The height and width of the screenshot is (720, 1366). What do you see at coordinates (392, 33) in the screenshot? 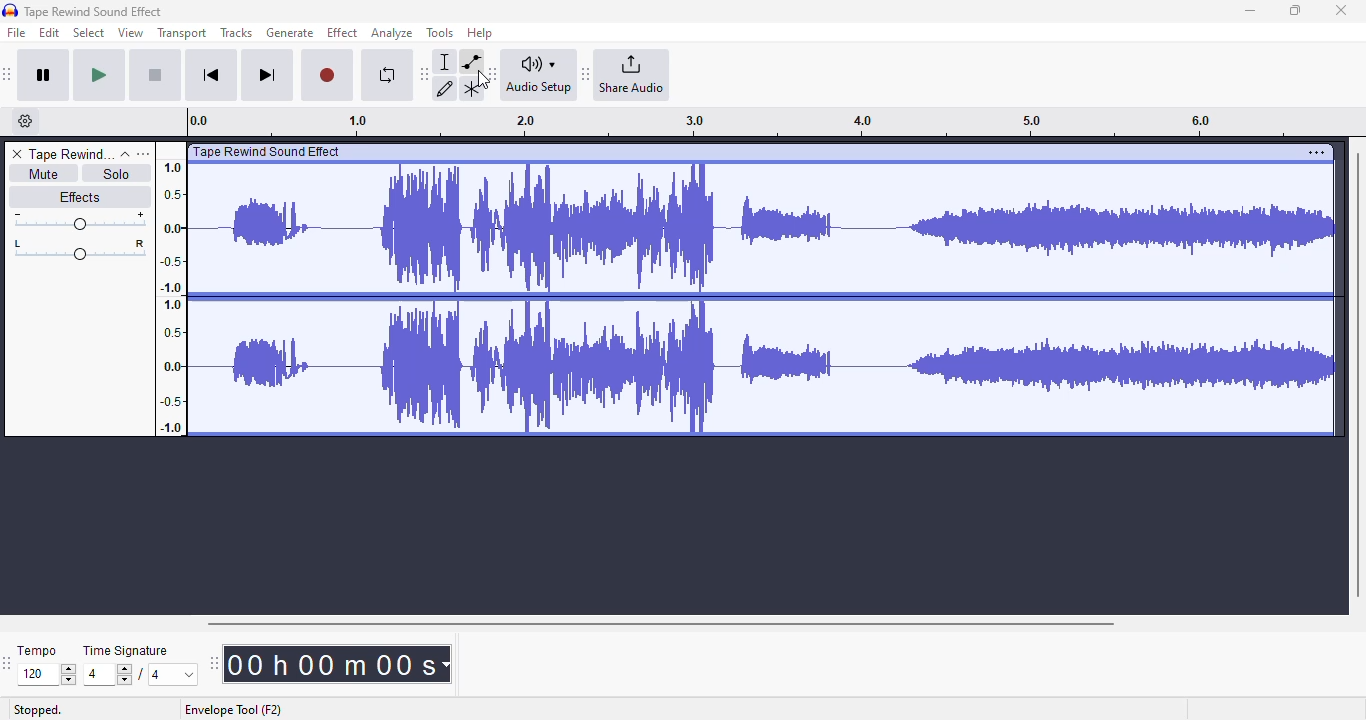
I see `analyze` at bounding box center [392, 33].